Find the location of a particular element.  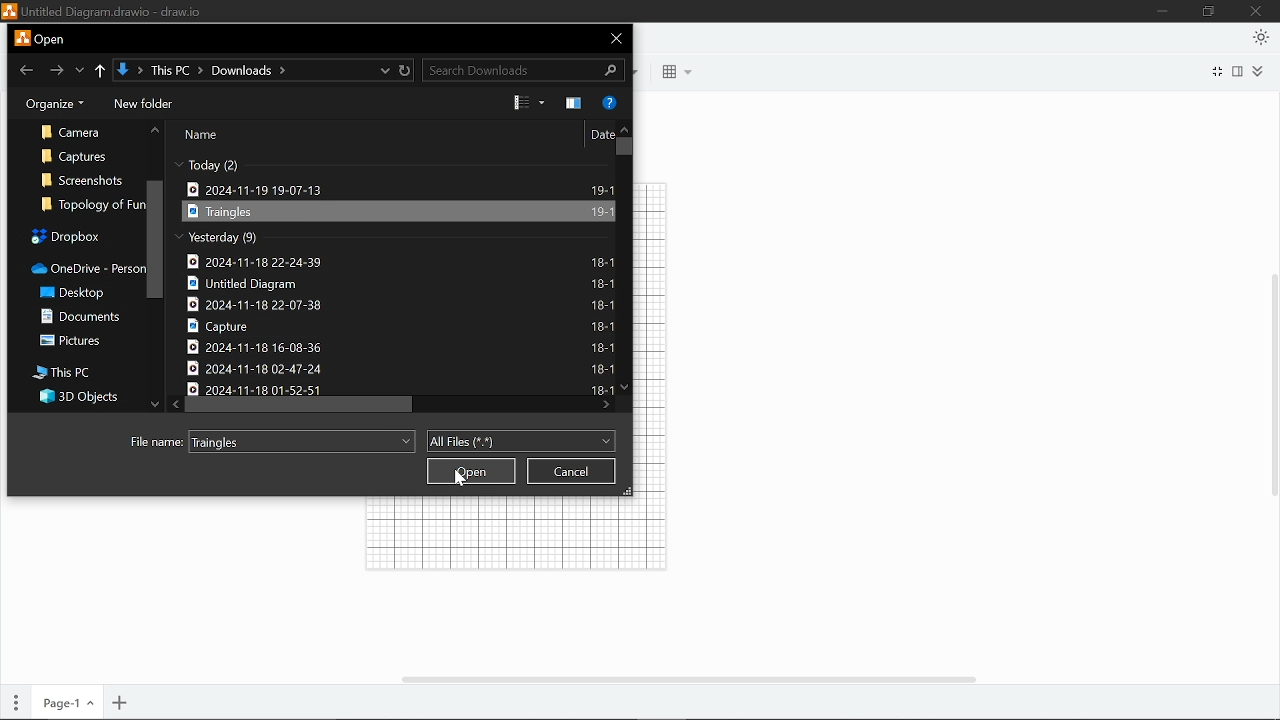

Open is located at coordinates (471, 471).